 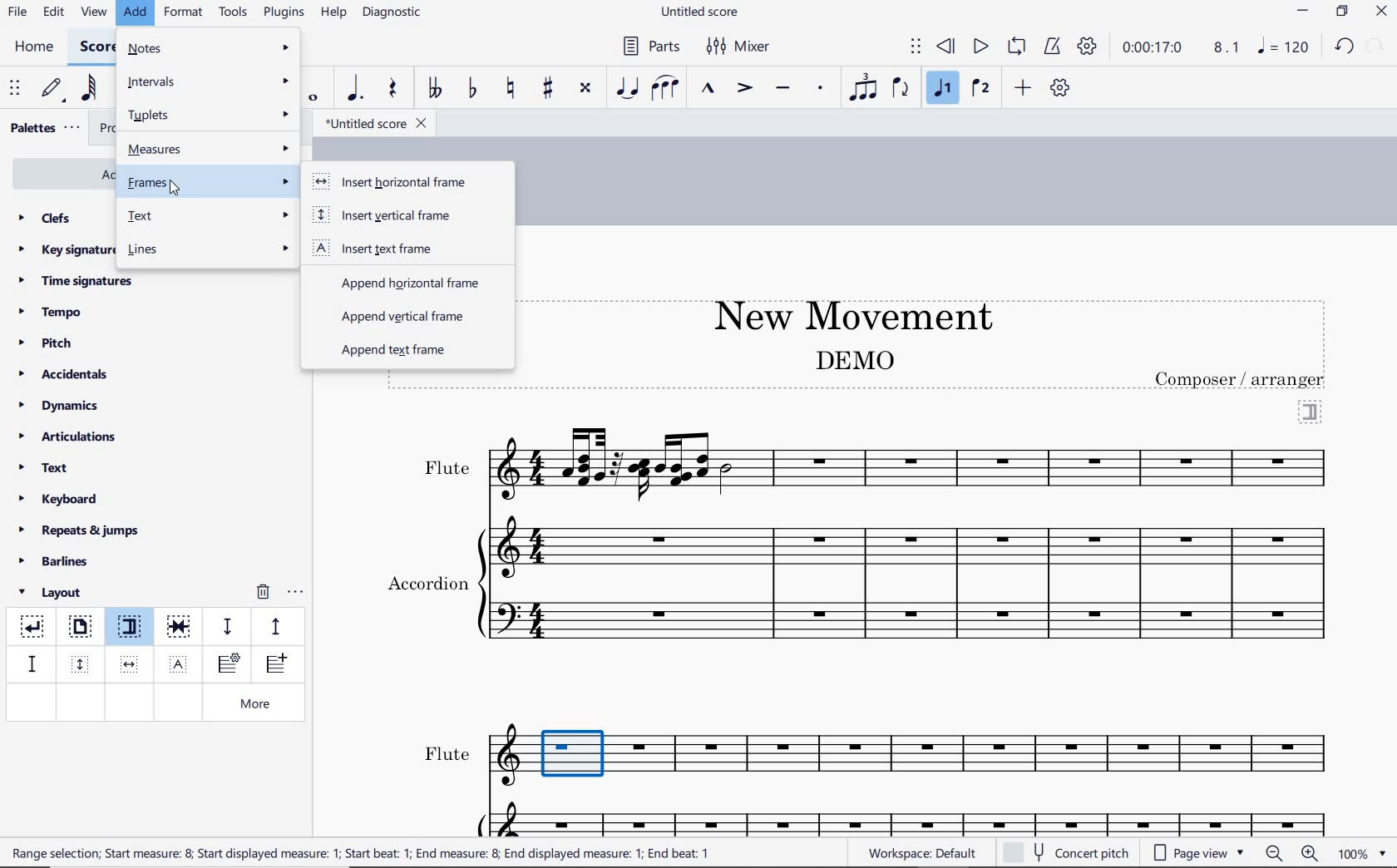 I want to click on section break, so click(x=133, y=629).